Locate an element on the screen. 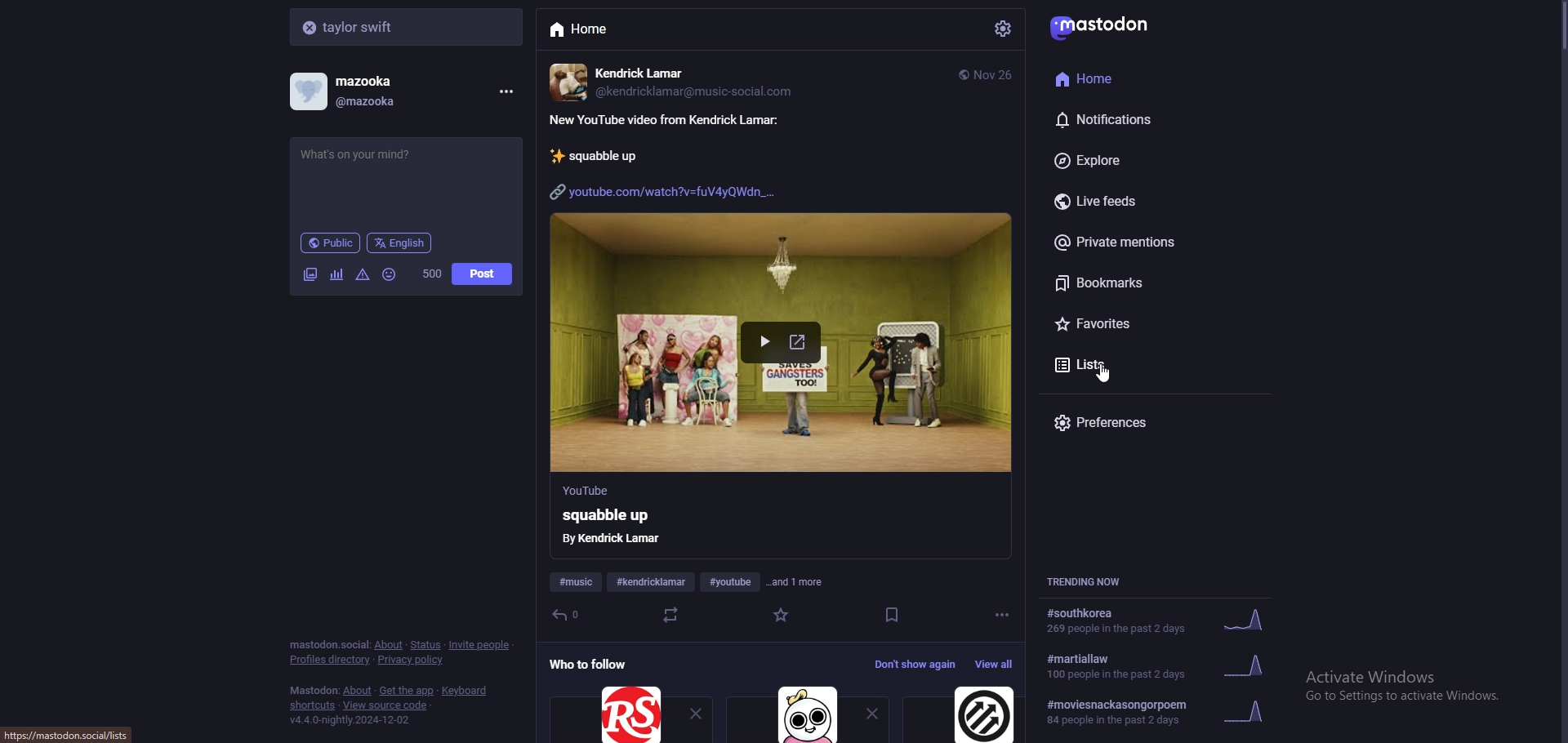  invite people is located at coordinates (480, 644).